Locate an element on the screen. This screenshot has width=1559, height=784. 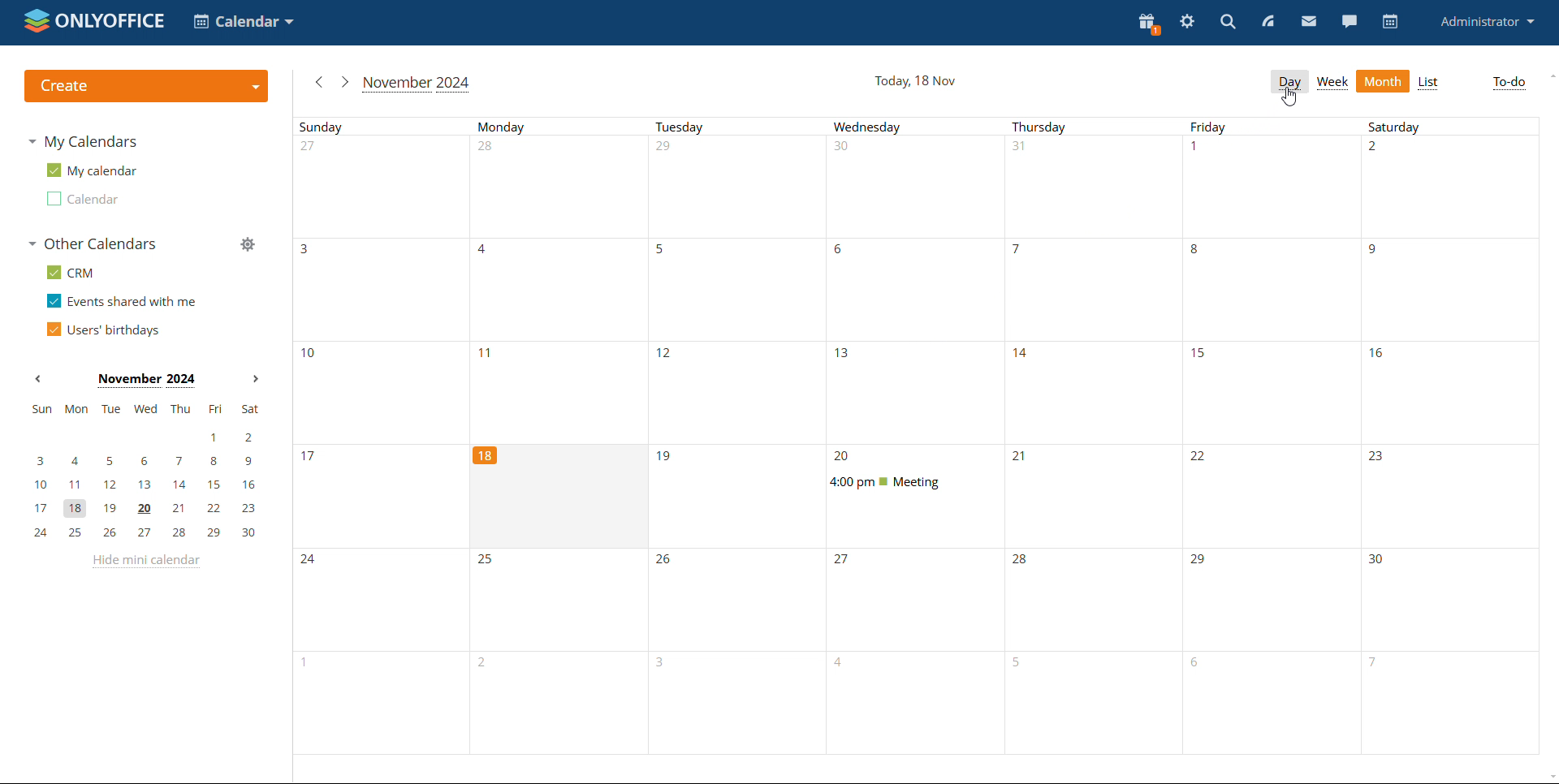
other calendars is located at coordinates (93, 243).